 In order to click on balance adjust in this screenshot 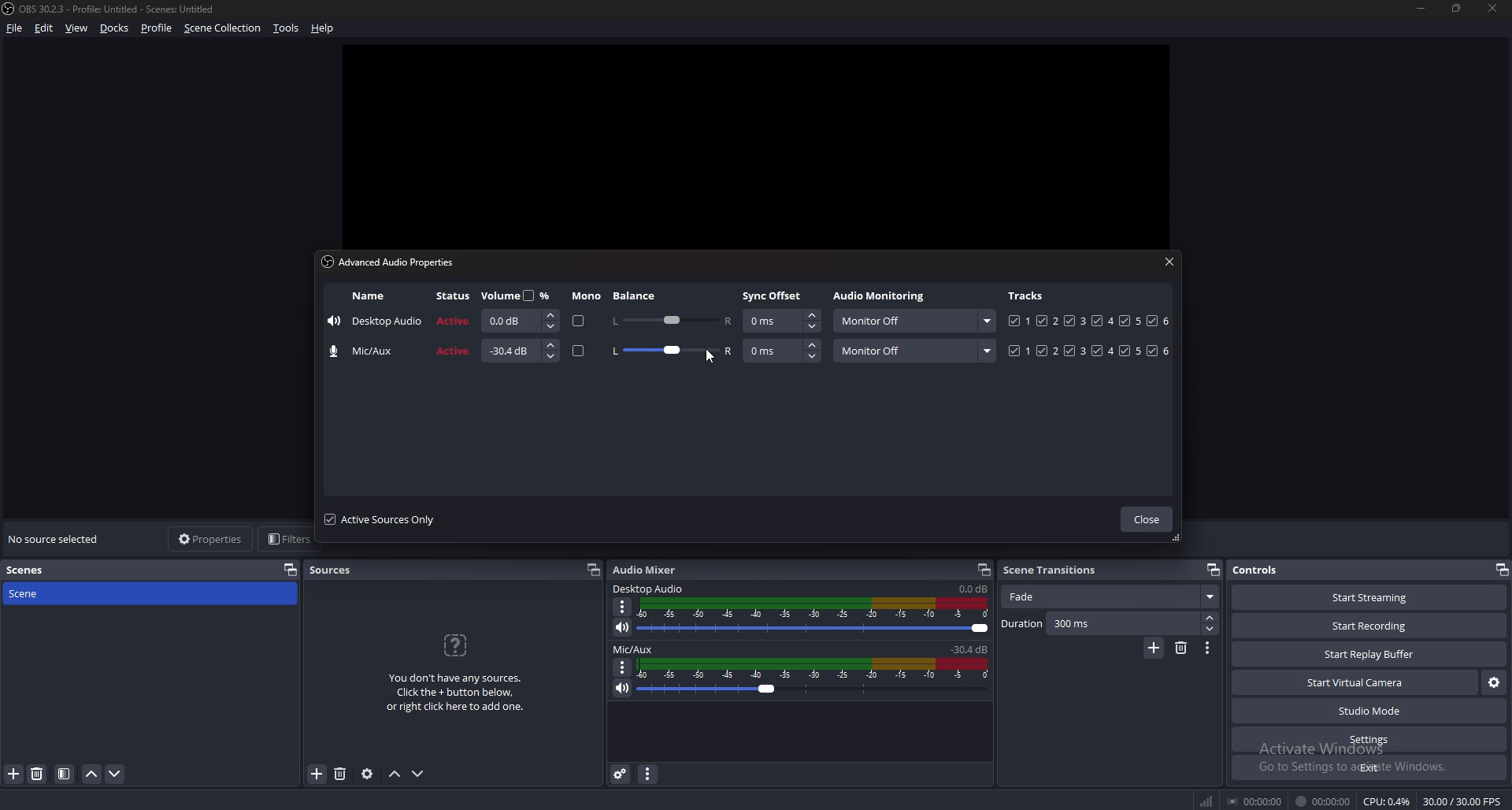, I will do `click(671, 352)`.